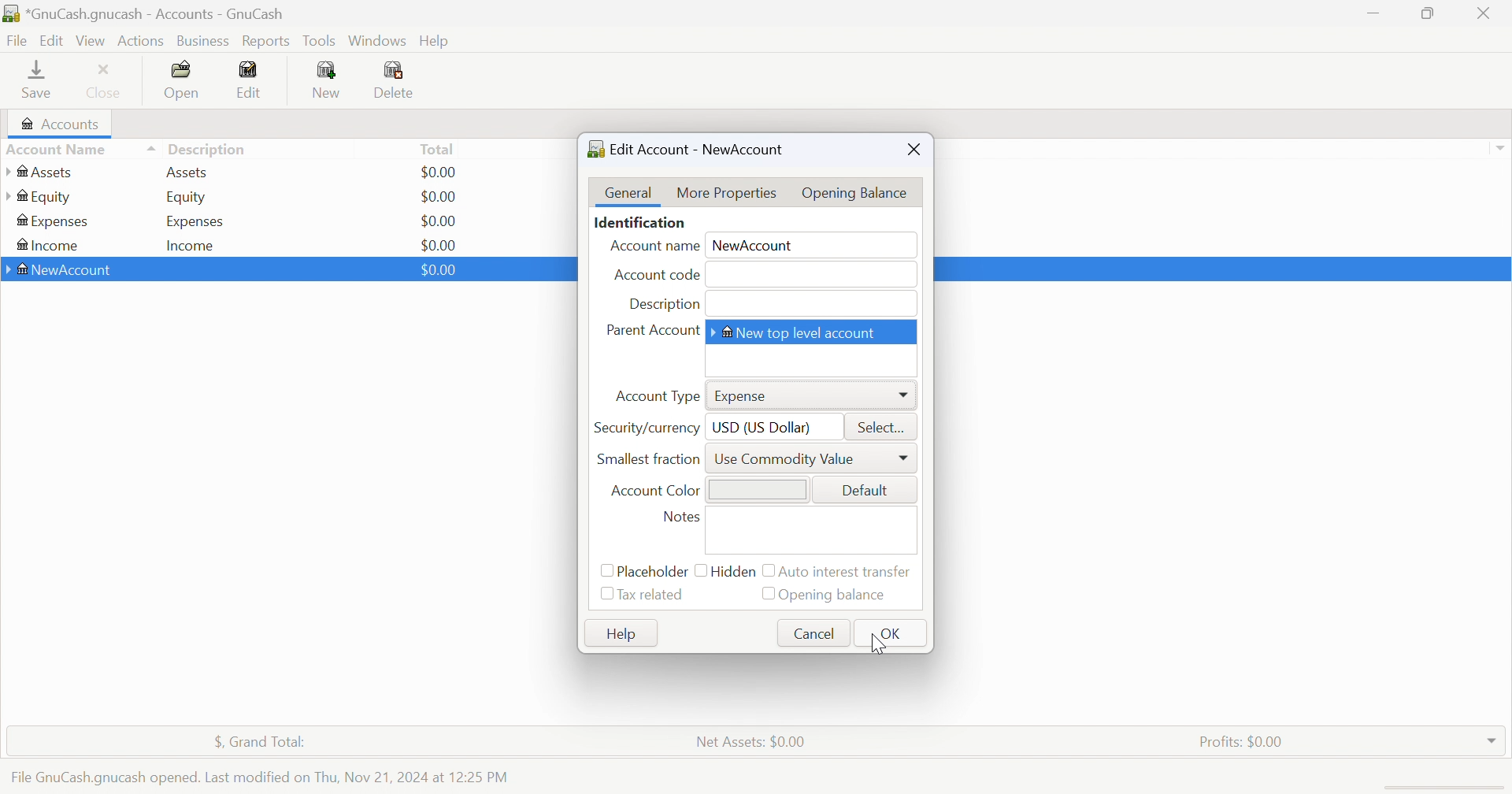 This screenshot has height=794, width=1512. What do you see at coordinates (191, 247) in the screenshot?
I see `Income` at bounding box center [191, 247].